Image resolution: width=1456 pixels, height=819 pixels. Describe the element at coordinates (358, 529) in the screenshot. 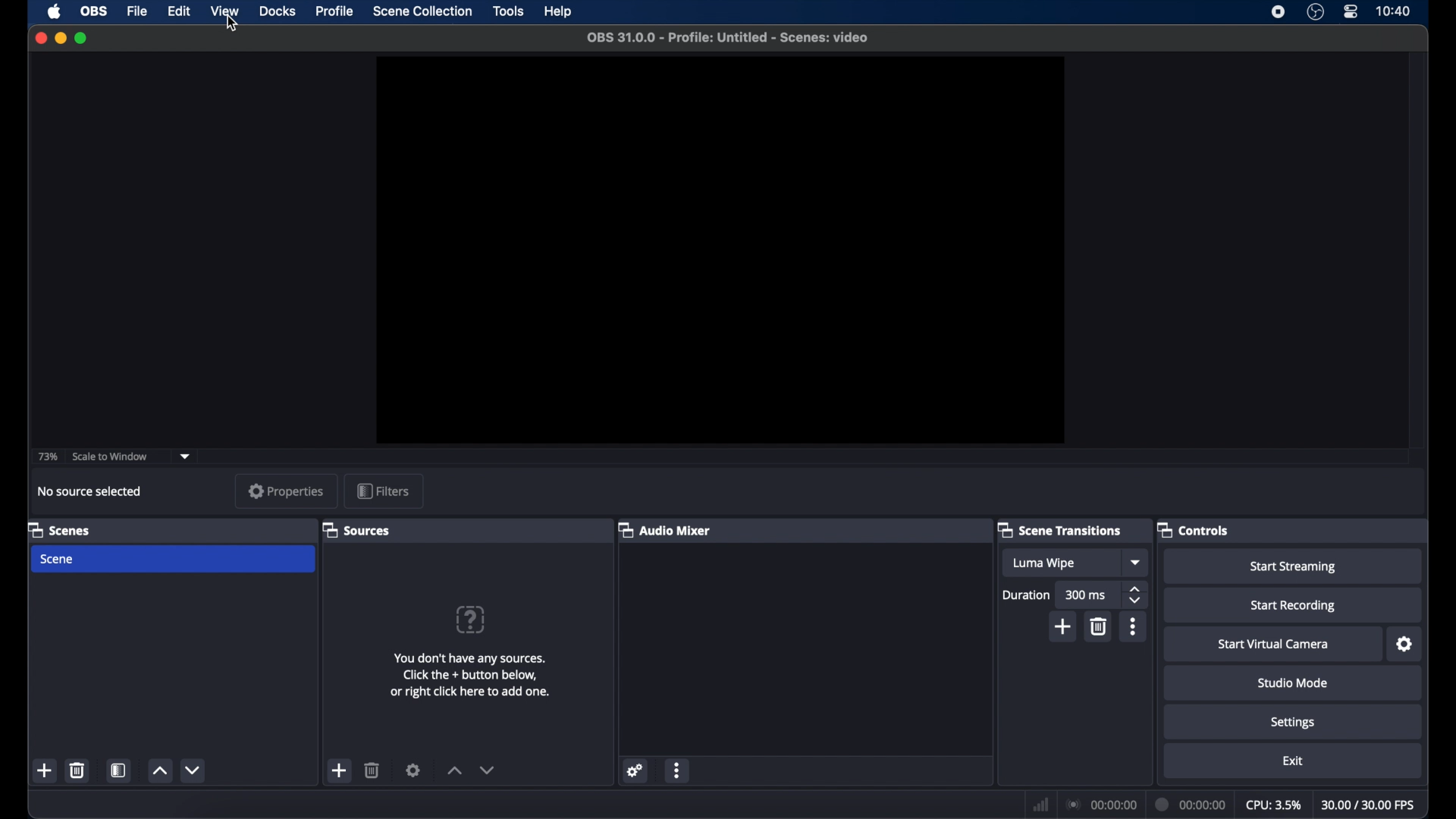

I see `sources` at that location.